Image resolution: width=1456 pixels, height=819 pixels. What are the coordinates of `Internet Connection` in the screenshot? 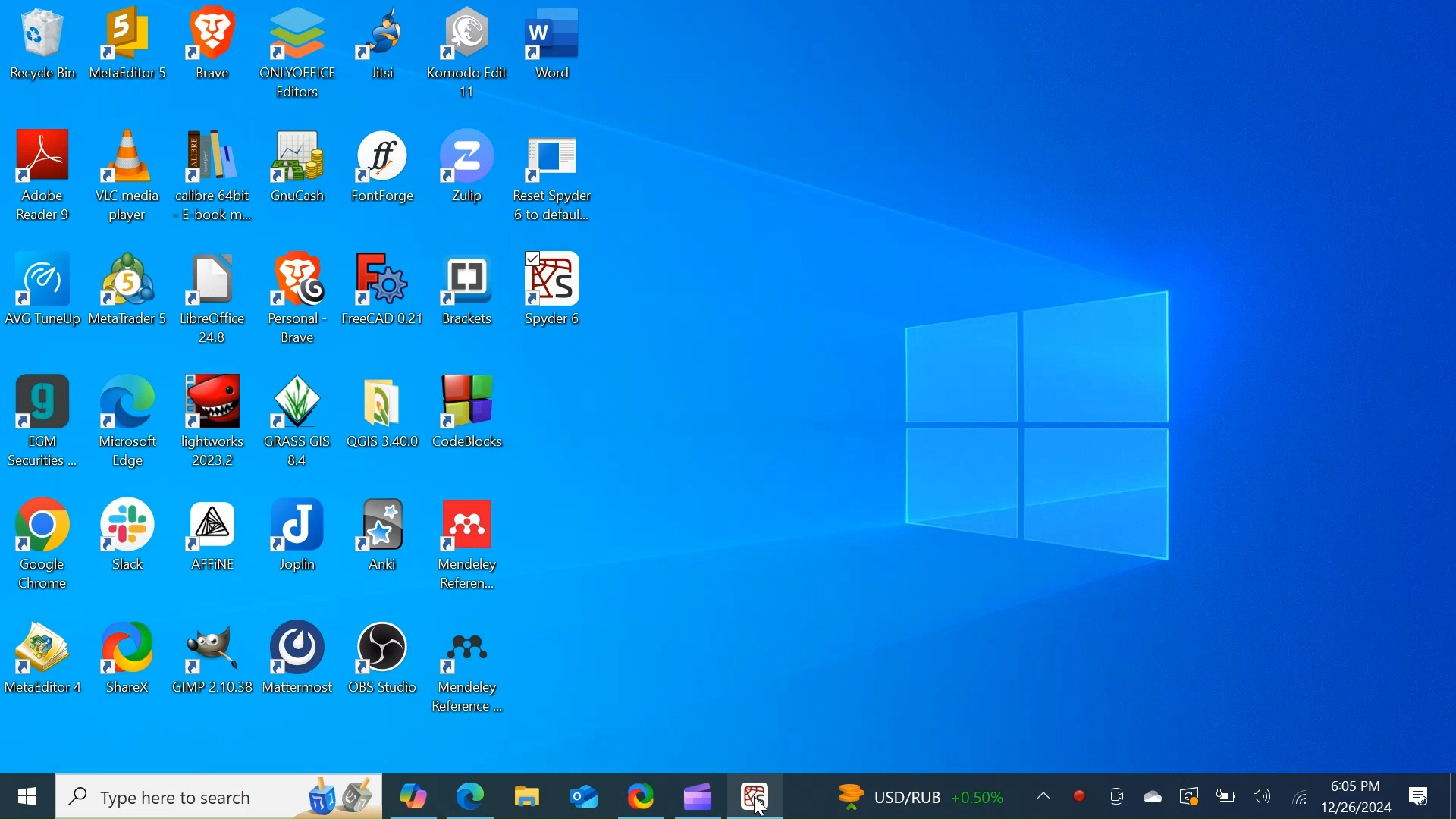 It's located at (1298, 797).